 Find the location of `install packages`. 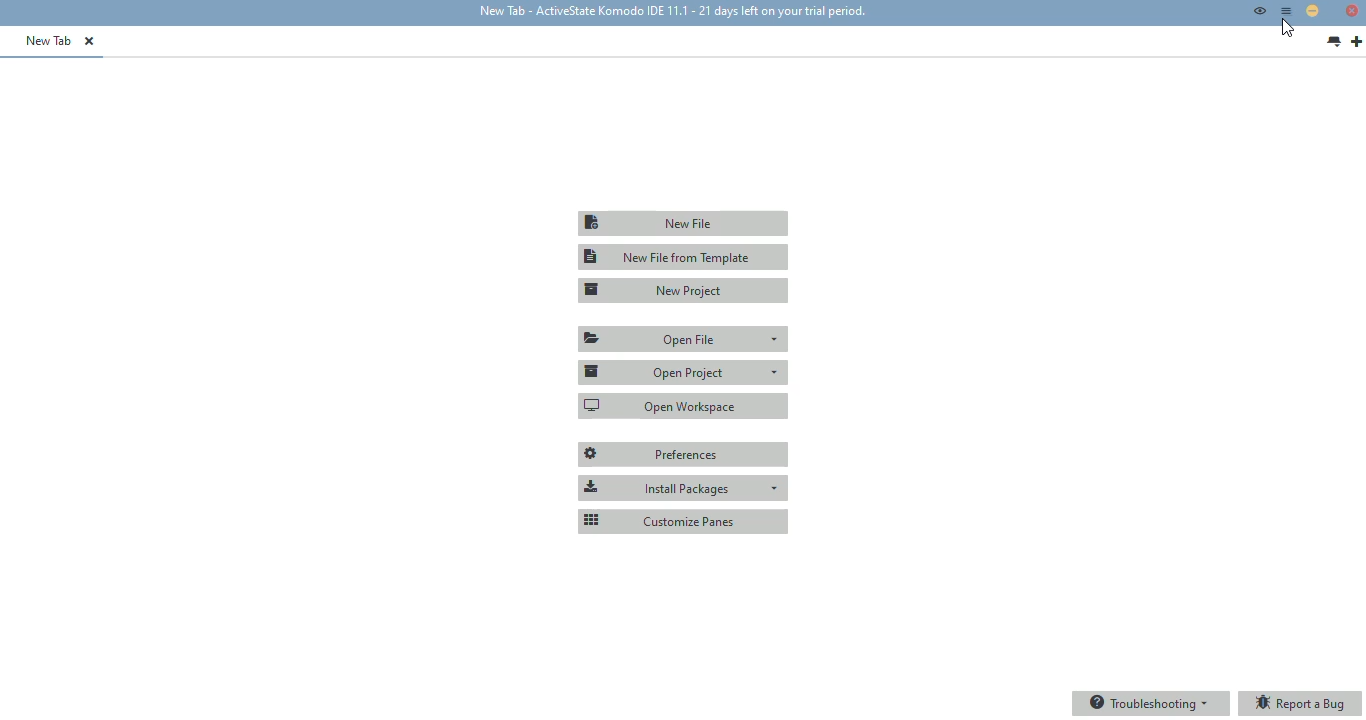

install packages is located at coordinates (683, 488).